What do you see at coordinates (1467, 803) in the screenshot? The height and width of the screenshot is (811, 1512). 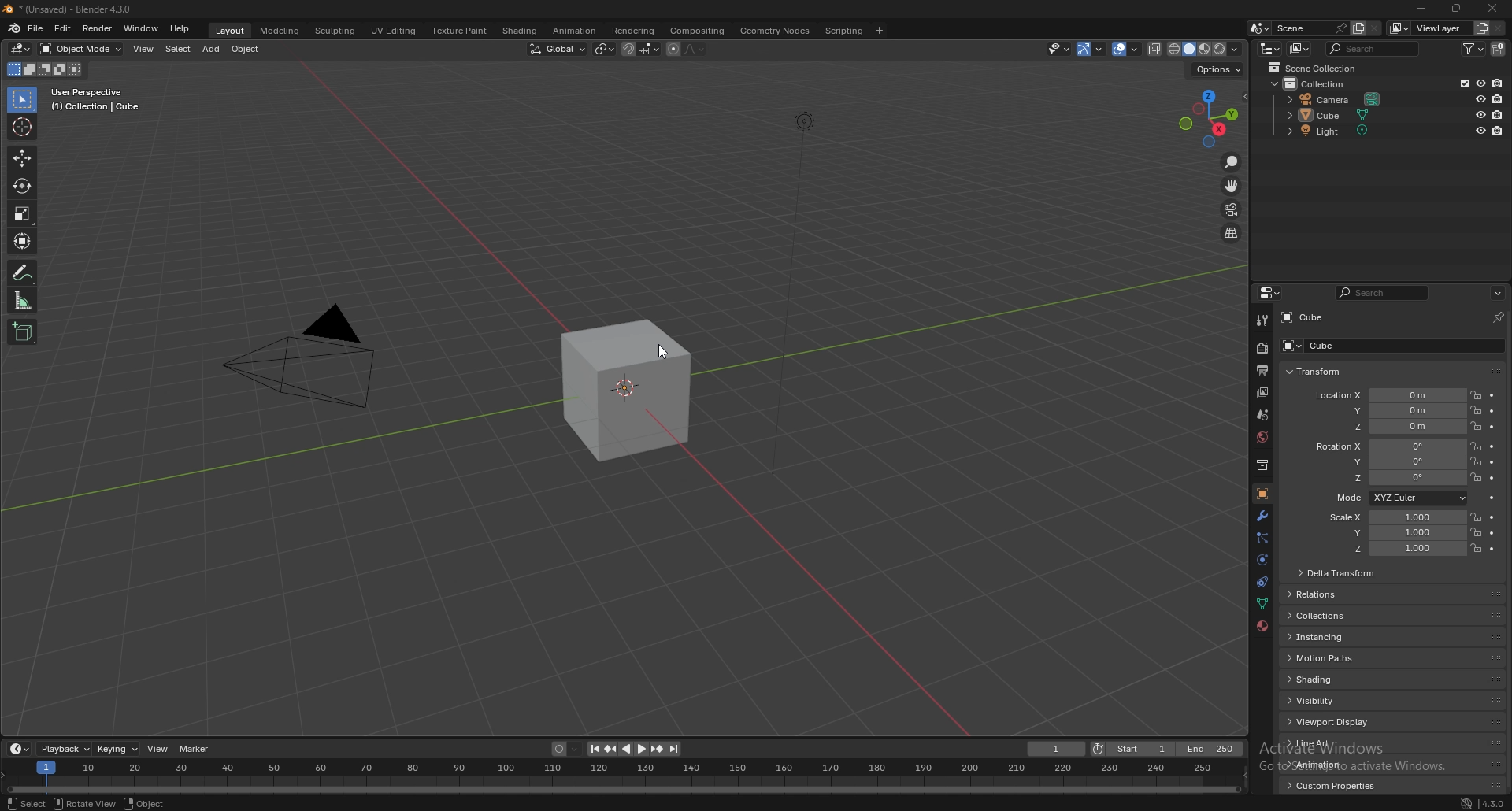 I see `network` at bounding box center [1467, 803].